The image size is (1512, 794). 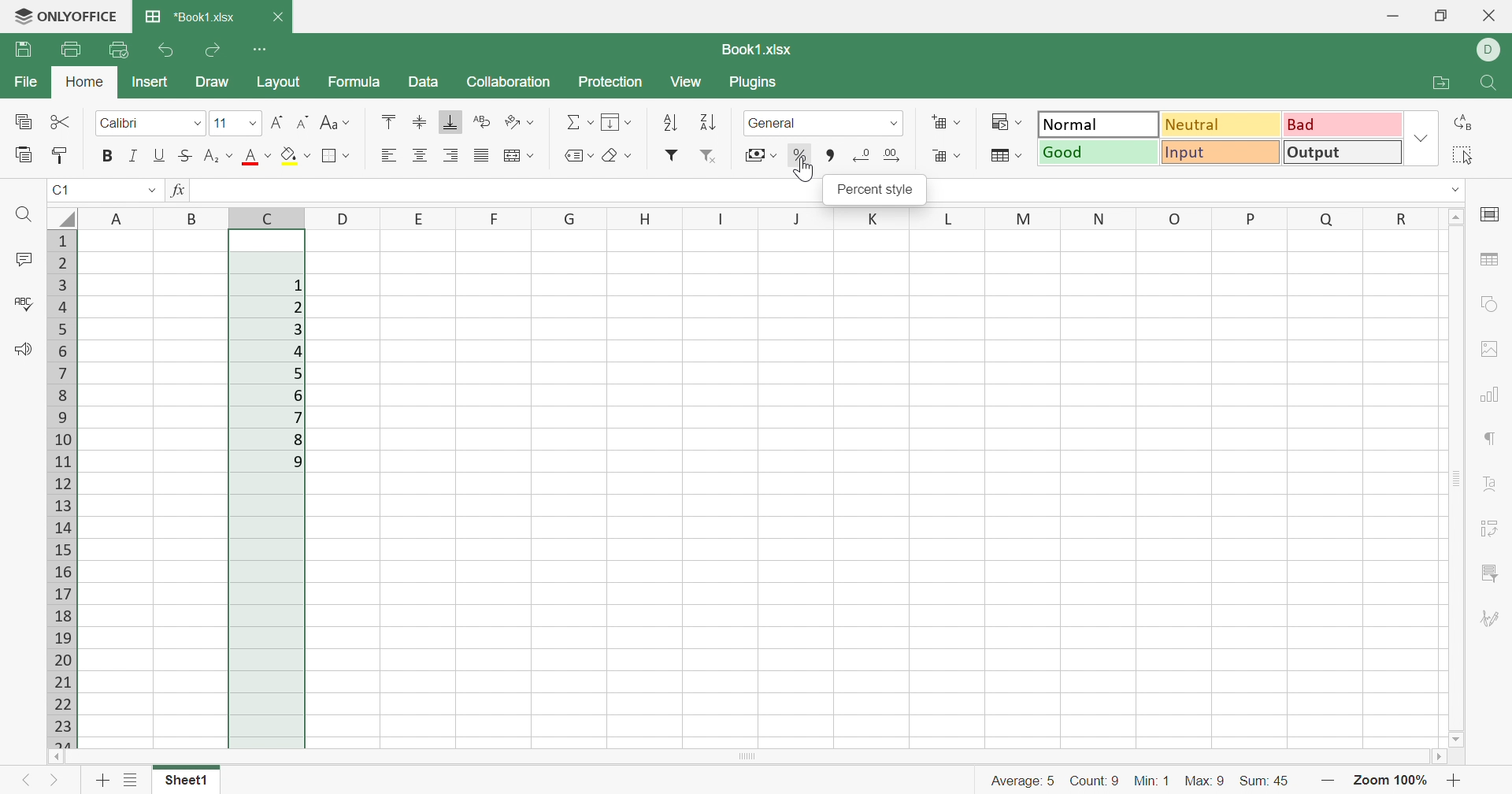 What do you see at coordinates (1153, 781) in the screenshot?
I see `Min: 1` at bounding box center [1153, 781].